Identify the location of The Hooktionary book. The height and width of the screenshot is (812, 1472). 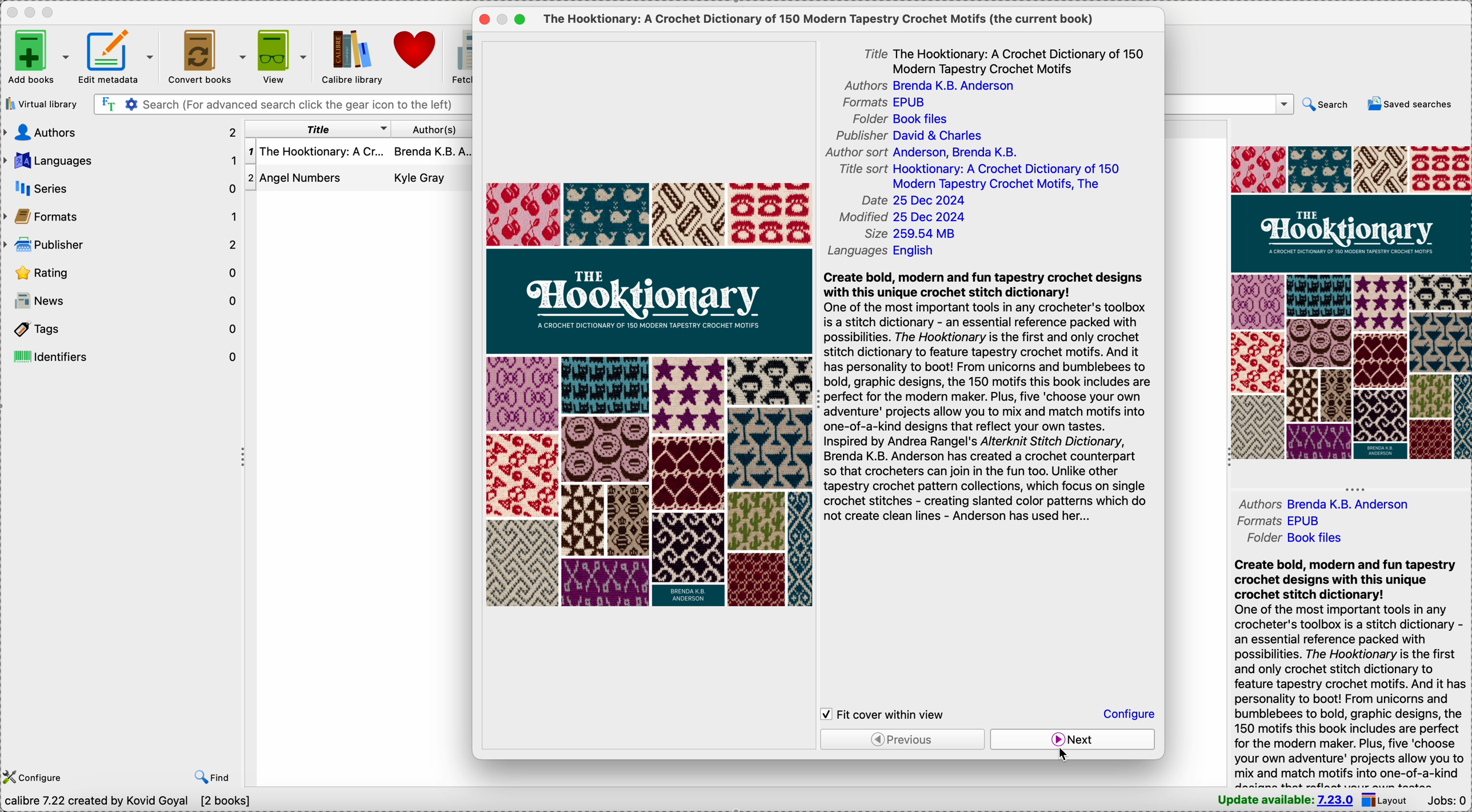
(360, 153).